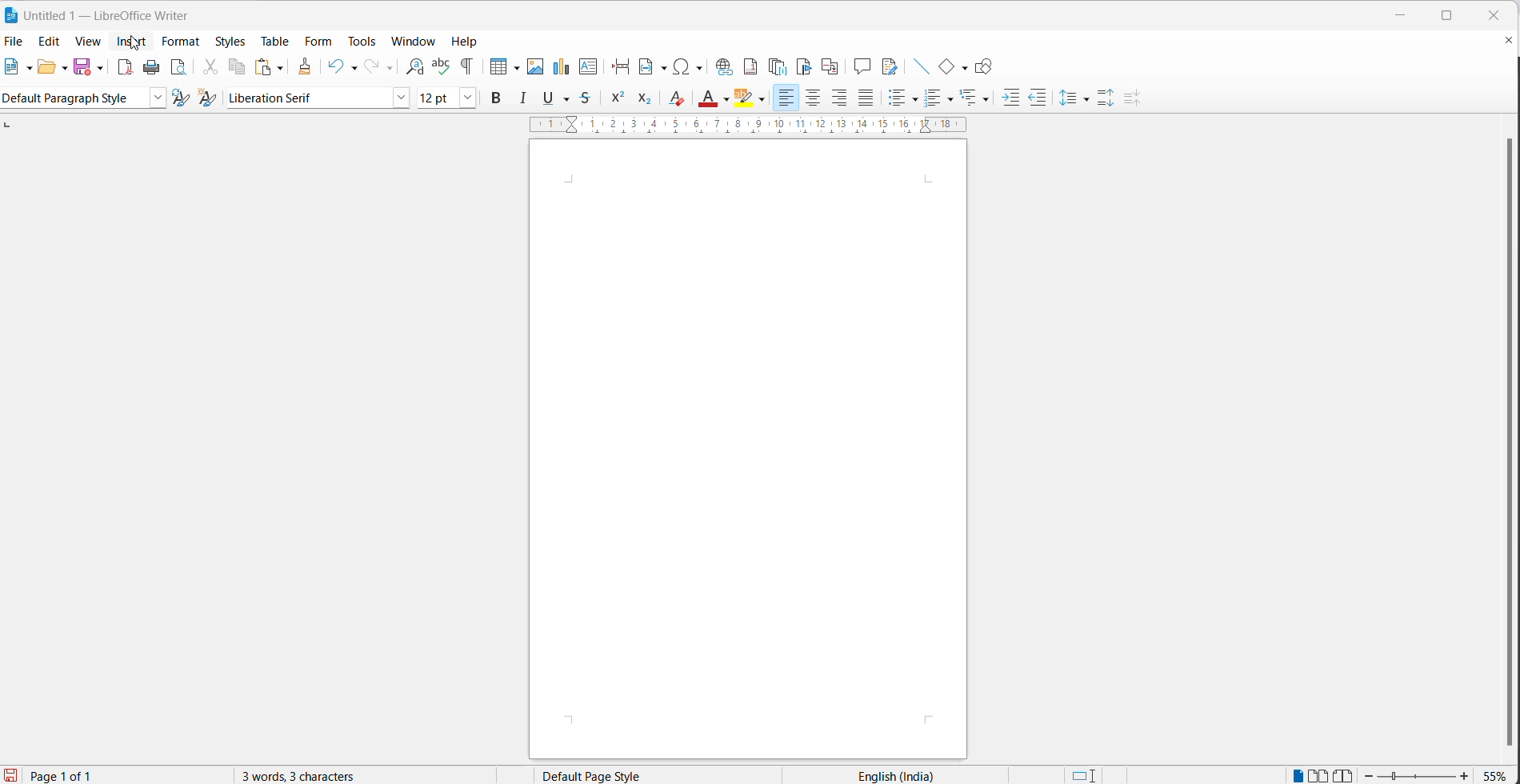  What do you see at coordinates (352, 67) in the screenshot?
I see `undo options` at bounding box center [352, 67].